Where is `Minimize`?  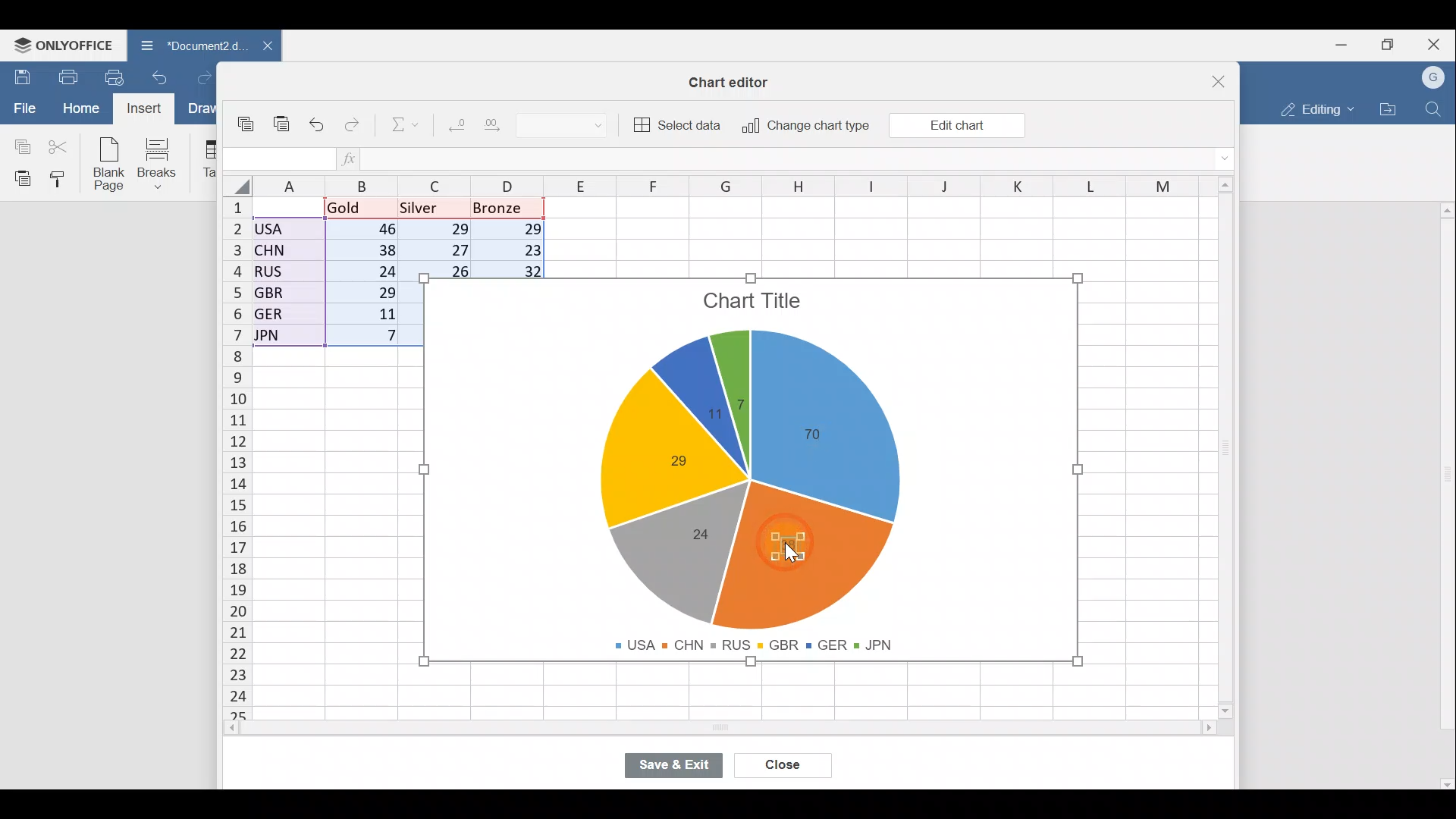
Minimize is located at coordinates (1347, 43).